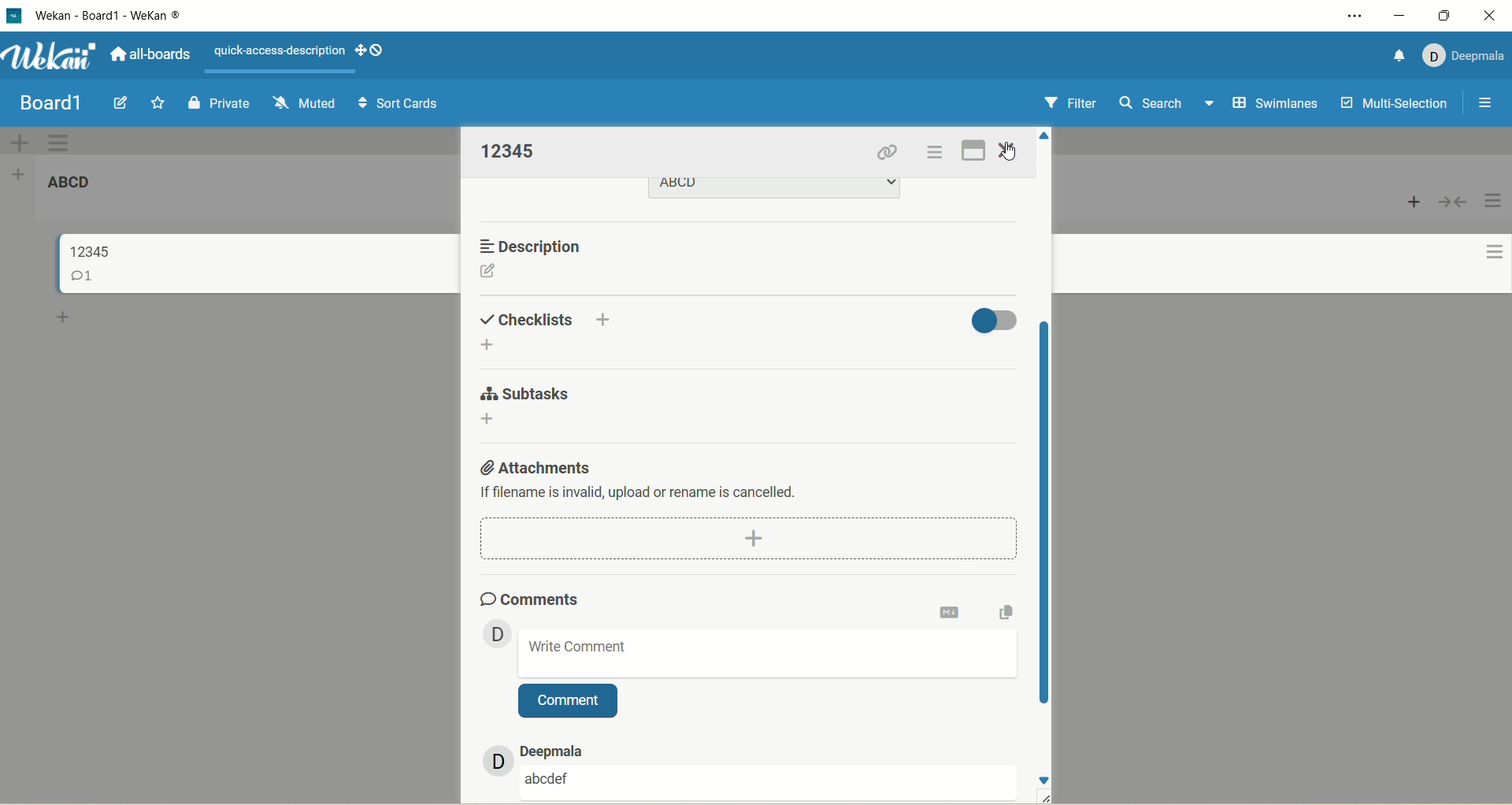 This screenshot has height=805, width=1512. I want to click on minimize, so click(1398, 16).